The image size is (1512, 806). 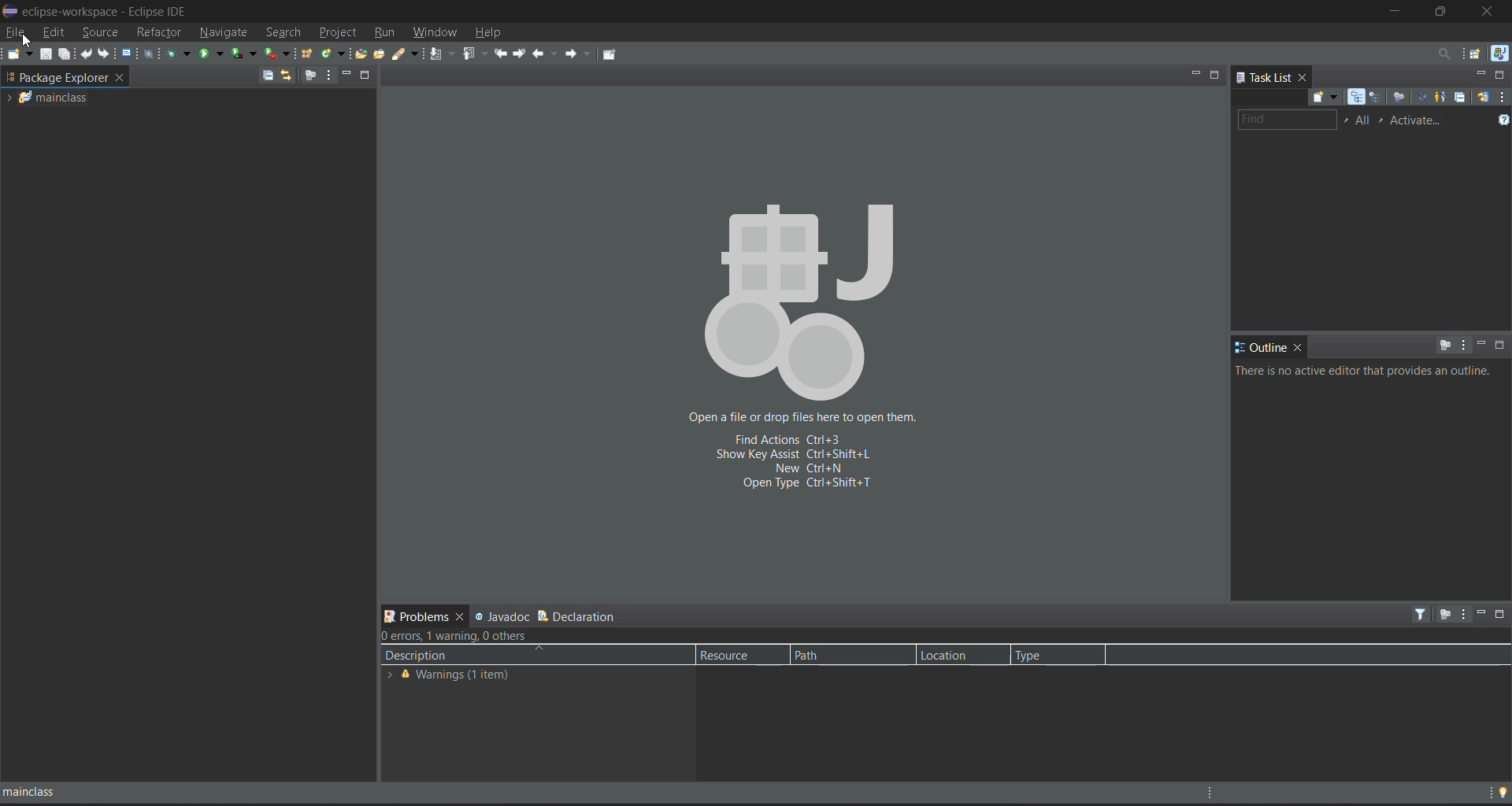 What do you see at coordinates (348, 72) in the screenshot?
I see `minimize` at bounding box center [348, 72].